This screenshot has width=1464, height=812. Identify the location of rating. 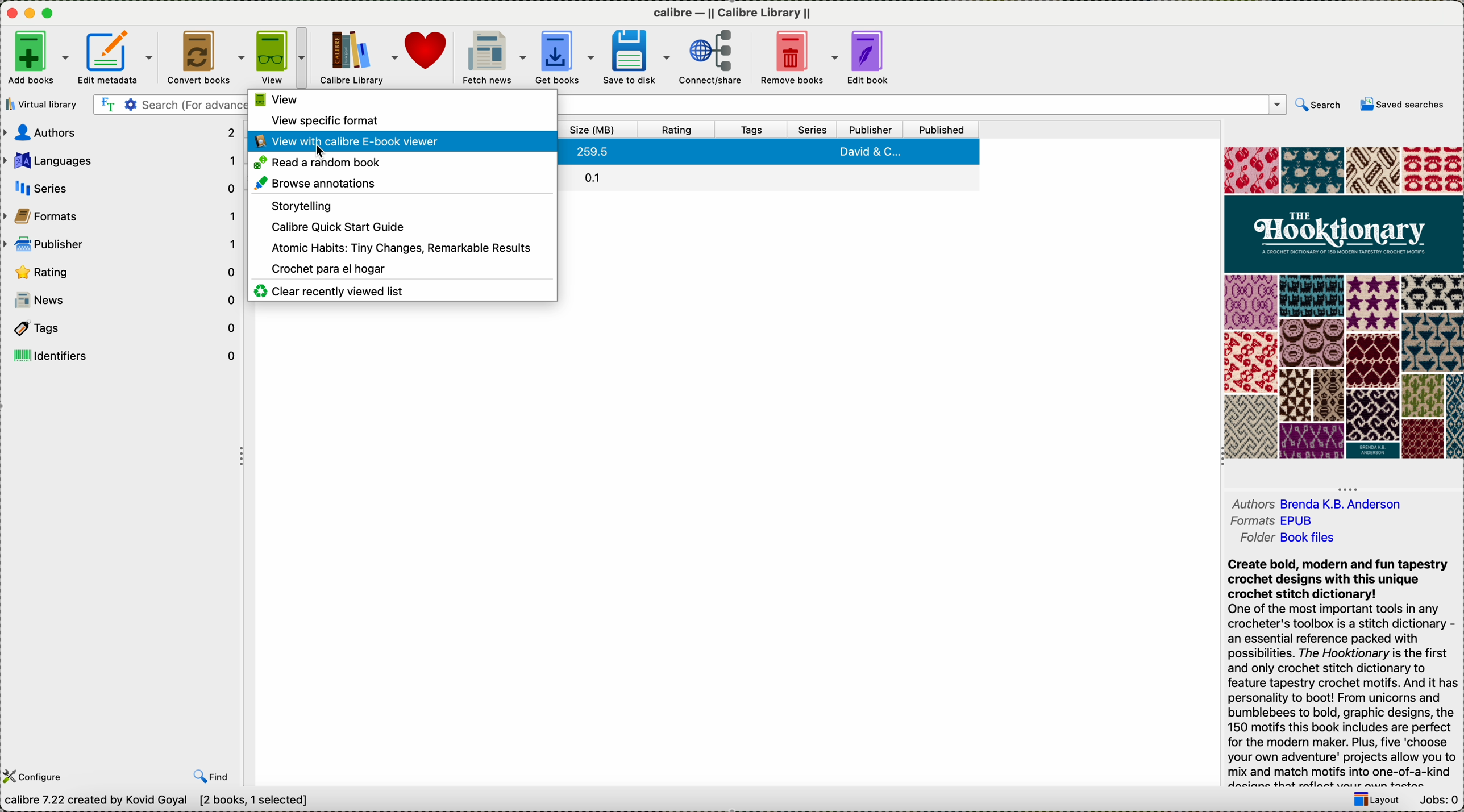
(674, 130).